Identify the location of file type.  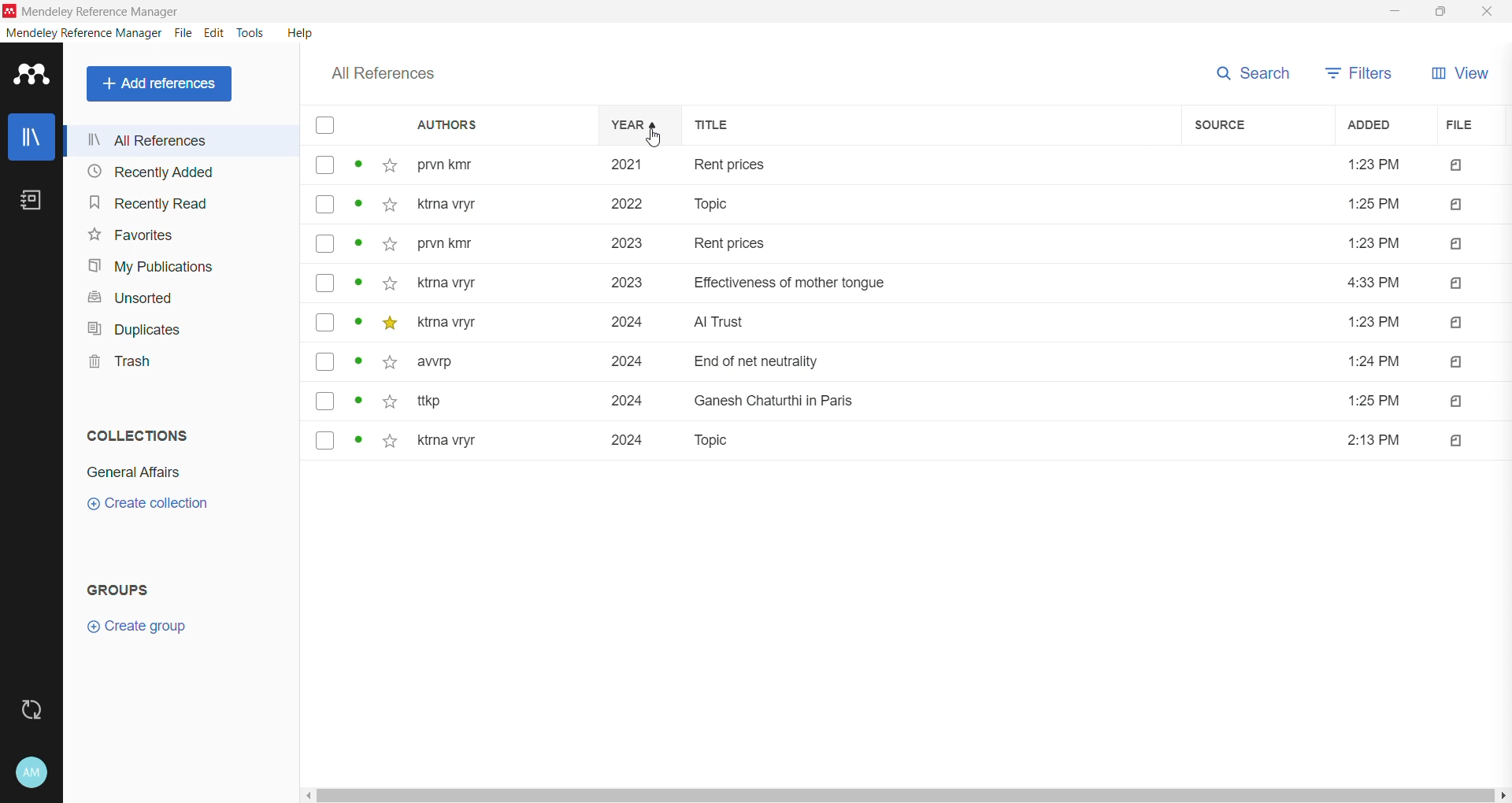
(1458, 283).